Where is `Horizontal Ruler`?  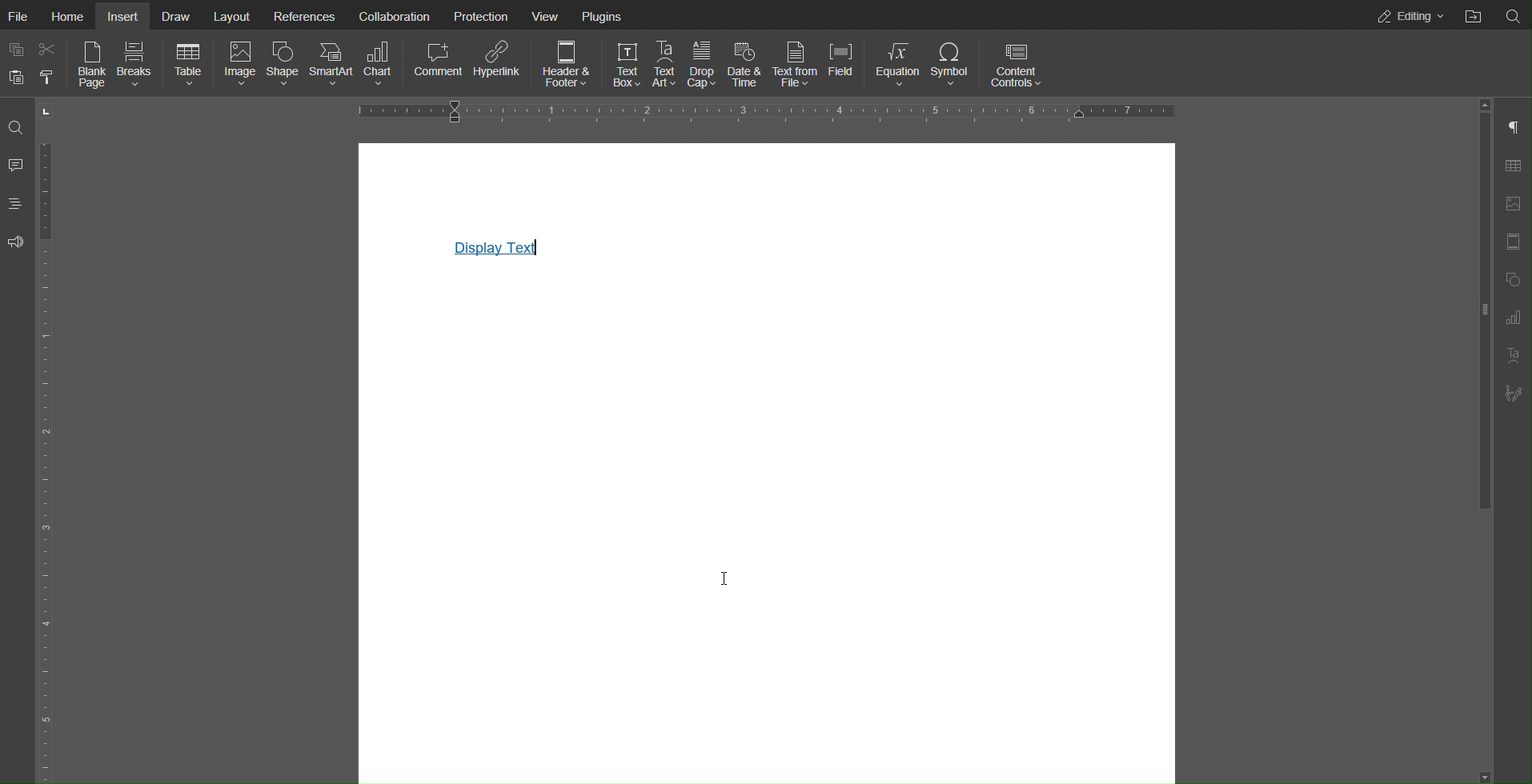
Horizontal Ruler is located at coordinates (765, 110).